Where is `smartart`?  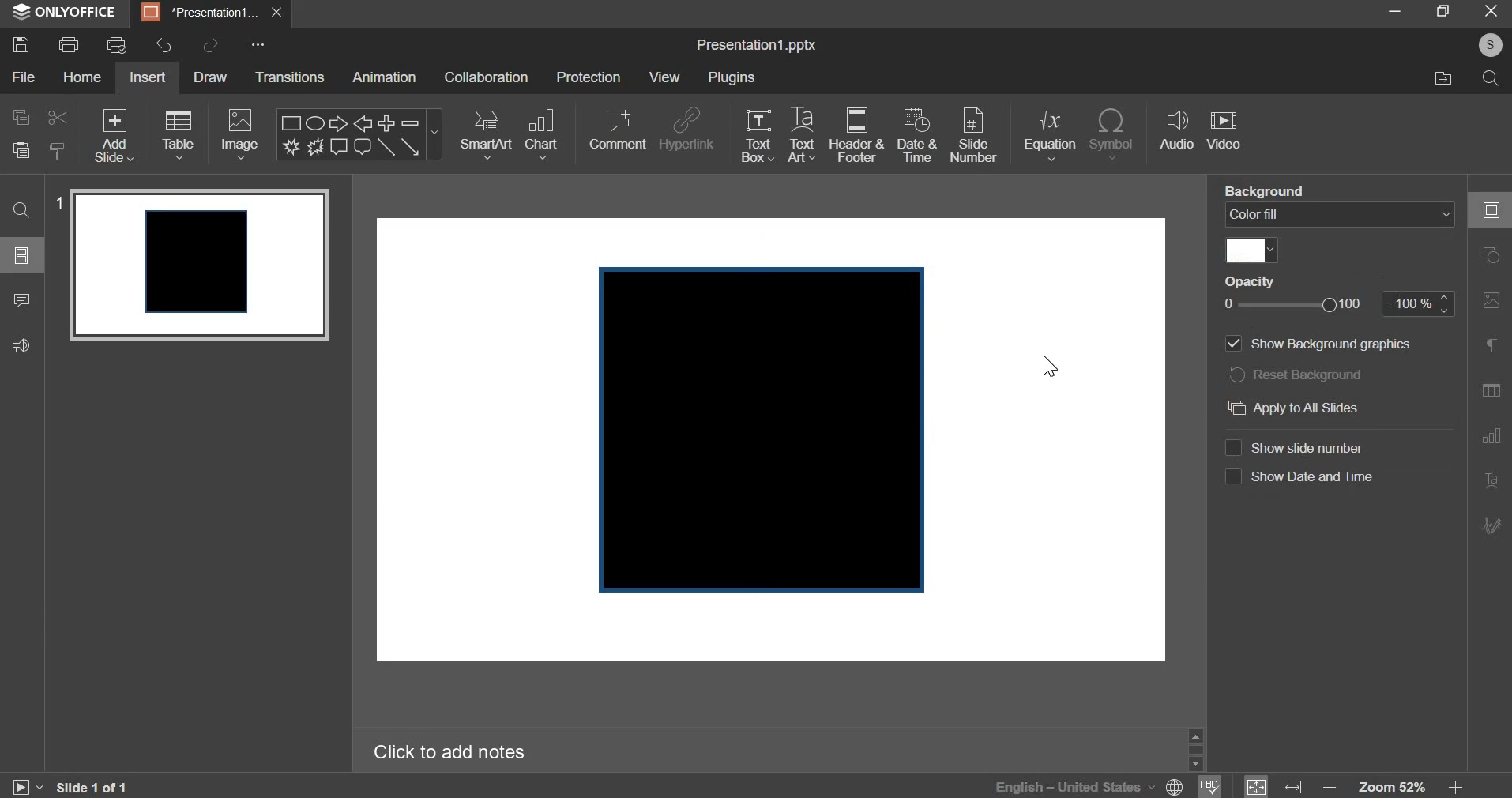
smartart is located at coordinates (487, 134).